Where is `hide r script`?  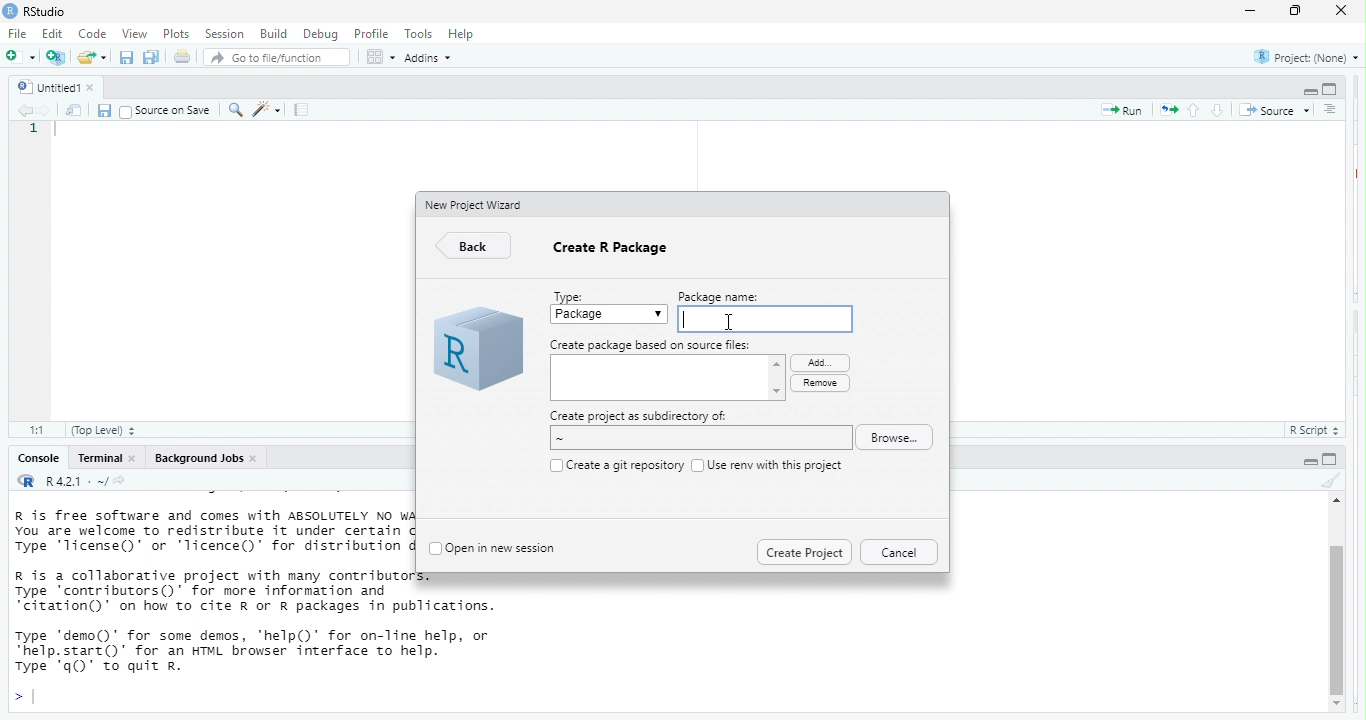 hide r script is located at coordinates (1305, 461).